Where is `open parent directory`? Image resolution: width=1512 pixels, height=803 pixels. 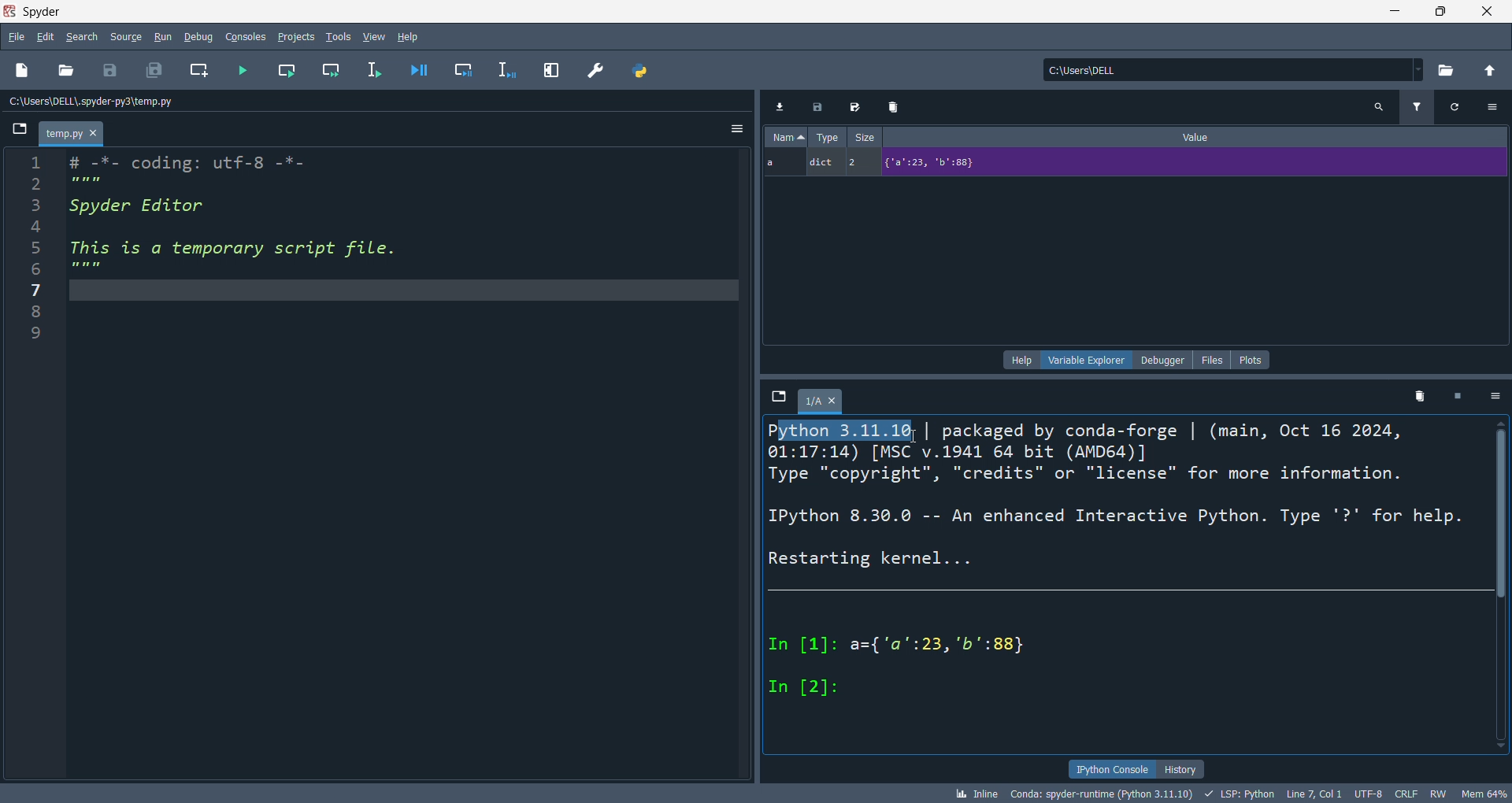 open parent directory is located at coordinates (1492, 72).